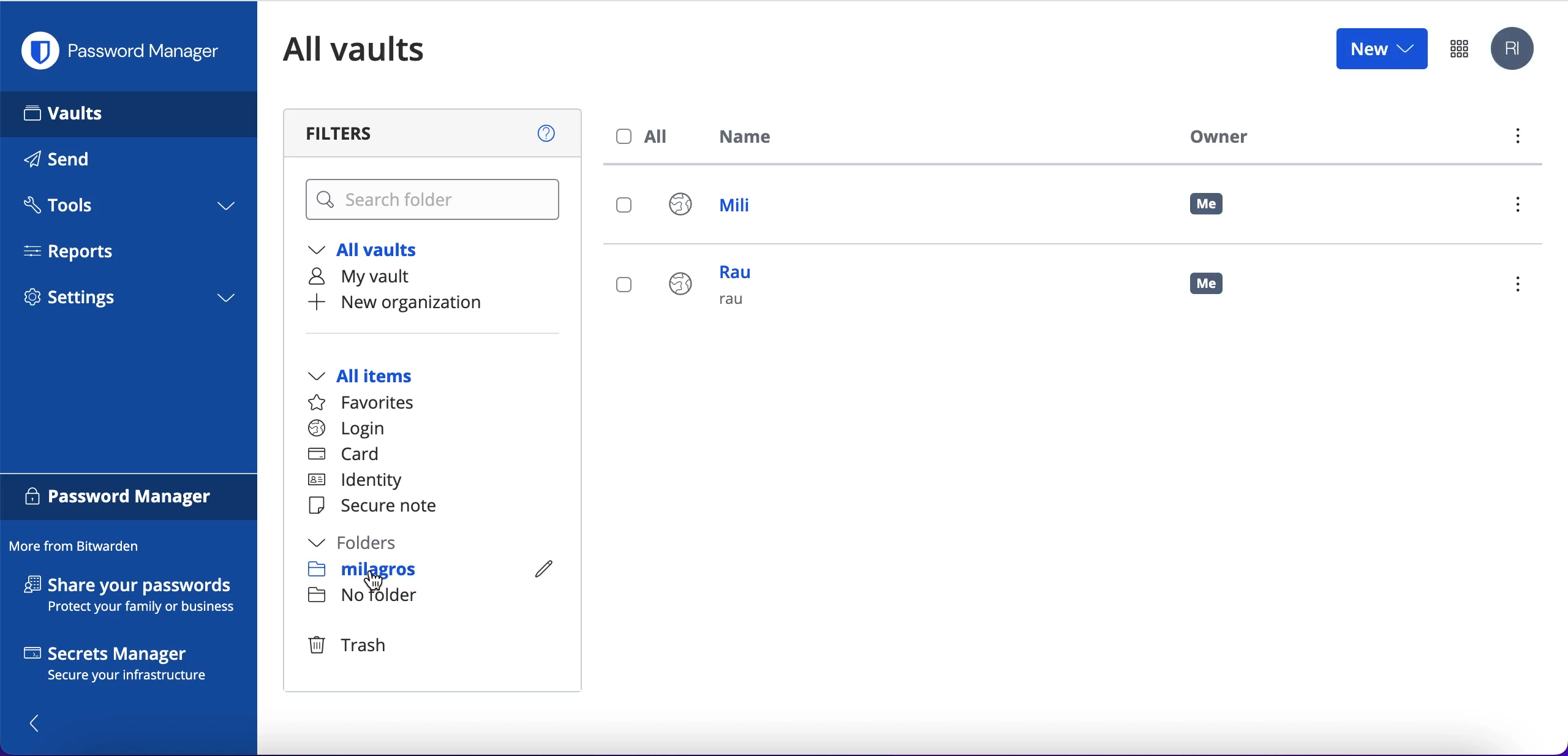 Image resolution: width=1568 pixels, height=756 pixels. What do you see at coordinates (78, 251) in the screenshot?
I see `reports` at bounding box center [78, 251].